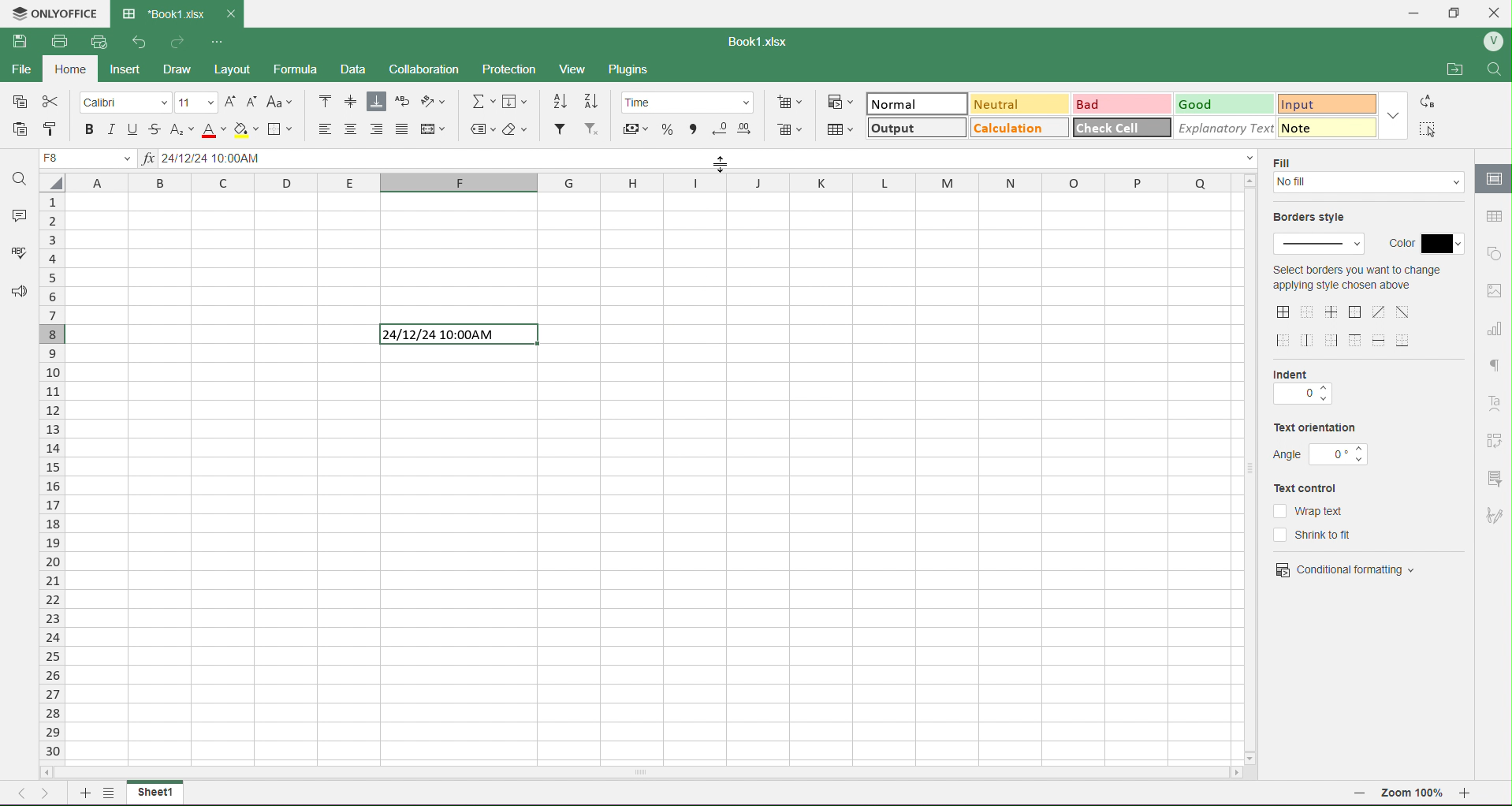 Image resolution: width=1512 pixels, height=806 pixels. I want to click on Cut, so click(53, 103).